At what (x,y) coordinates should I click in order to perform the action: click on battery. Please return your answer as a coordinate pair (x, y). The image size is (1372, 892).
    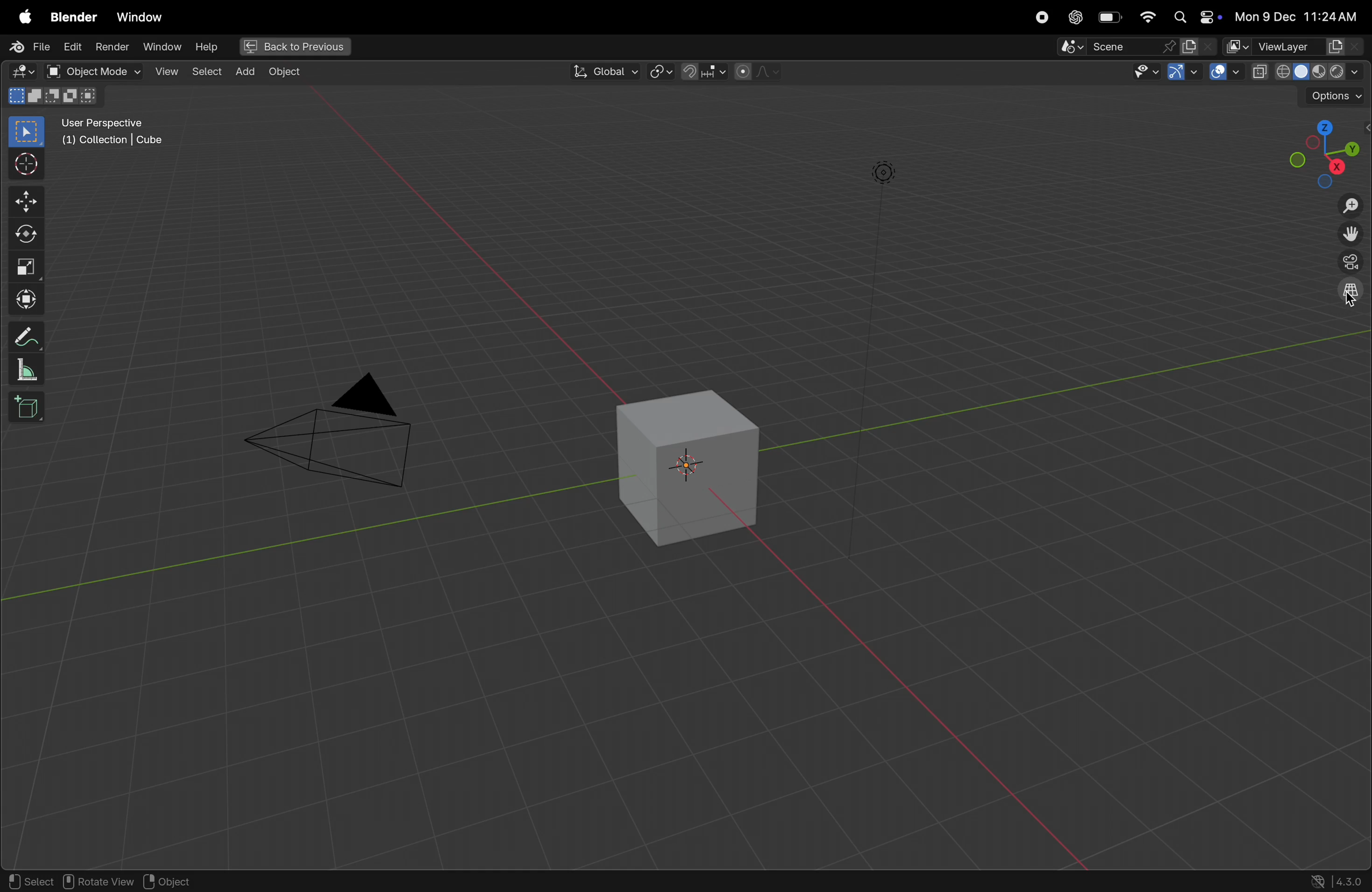
    Looking at the image, I should click on (1111, 17).